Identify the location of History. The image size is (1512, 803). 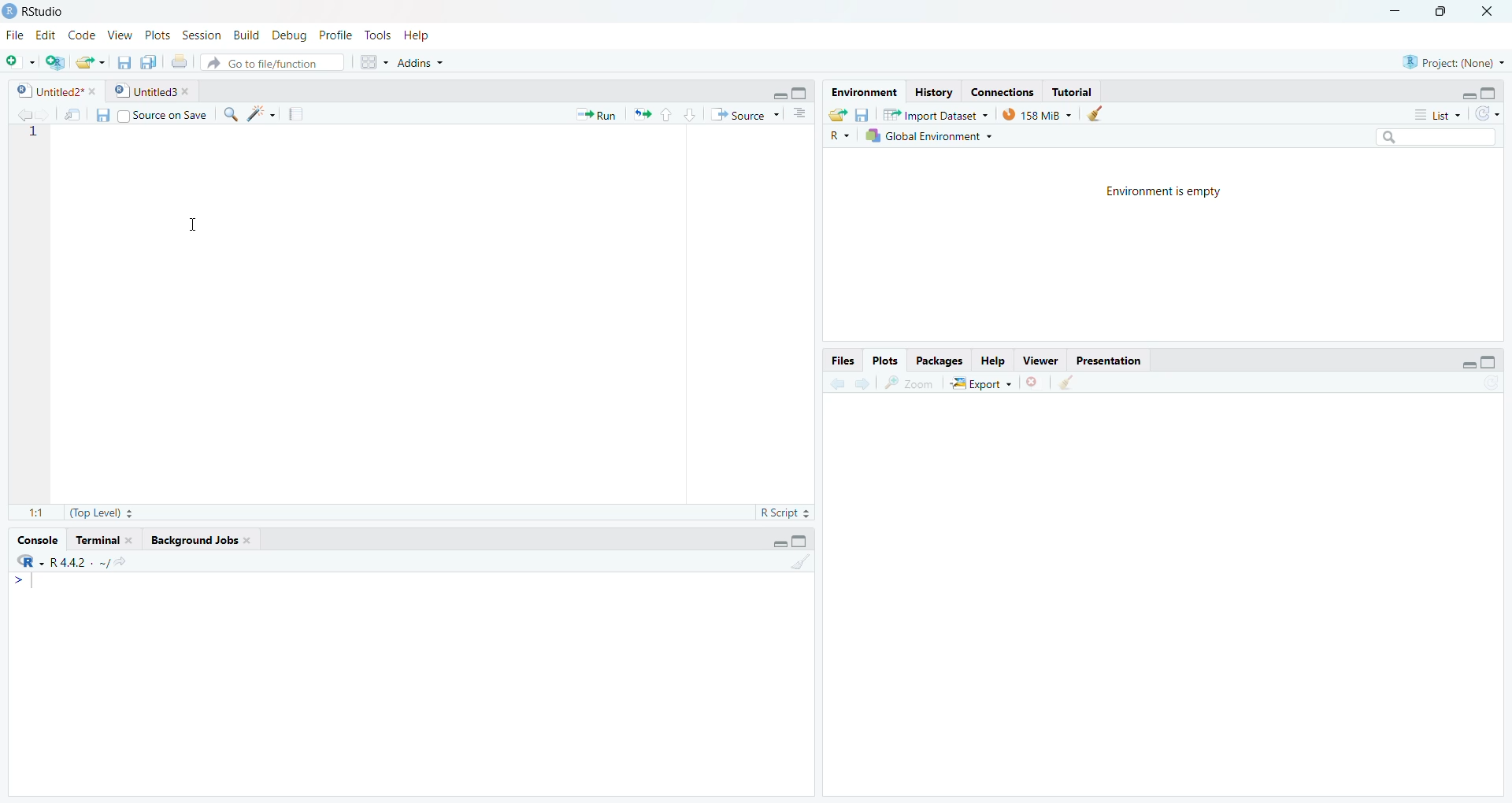
(932, 91).